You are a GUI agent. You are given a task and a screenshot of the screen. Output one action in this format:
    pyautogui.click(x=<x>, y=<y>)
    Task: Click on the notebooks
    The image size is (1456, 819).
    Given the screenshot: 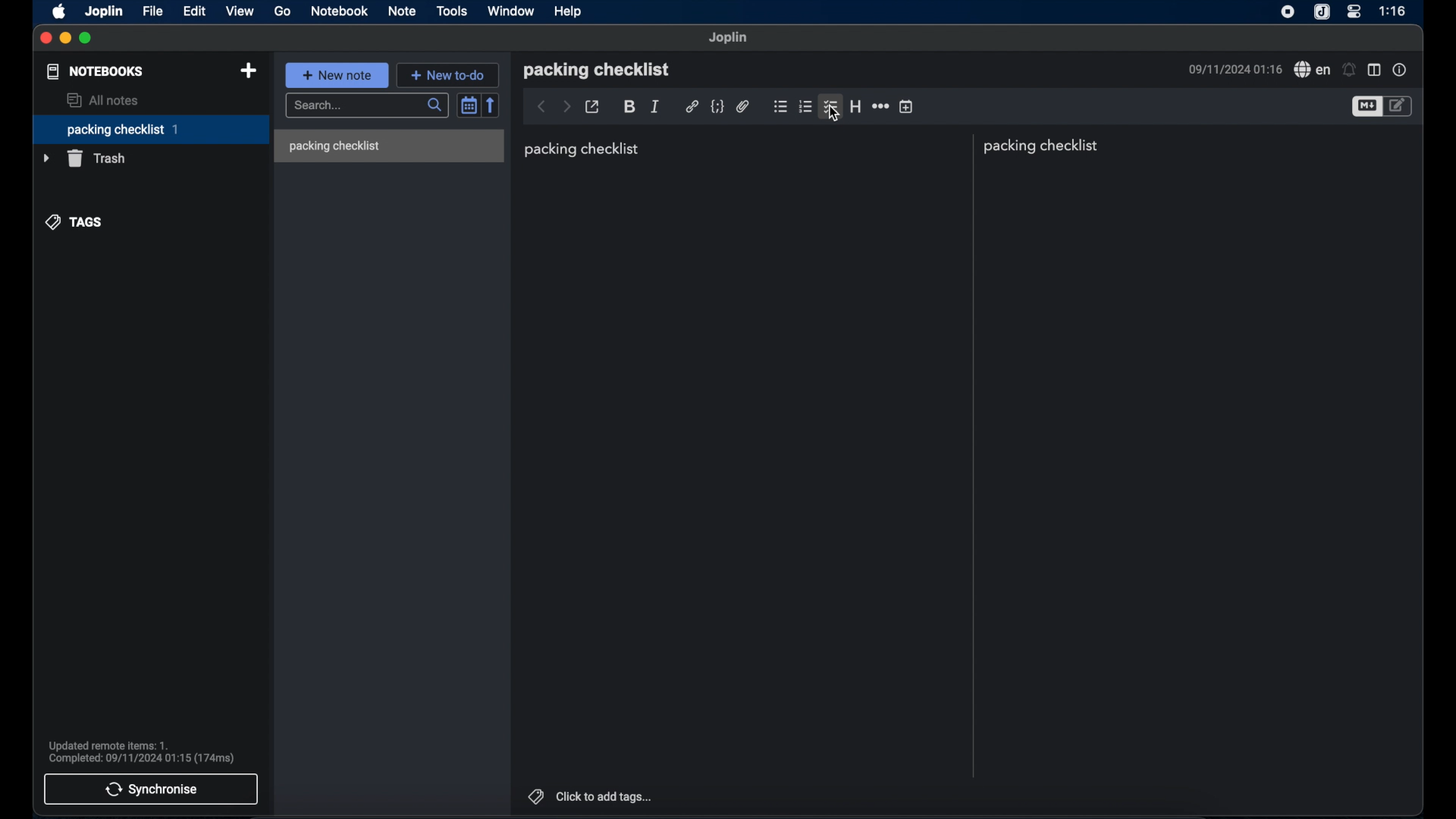 What is the action you would take?
    pyautogui.click(x=95, y=71)
    